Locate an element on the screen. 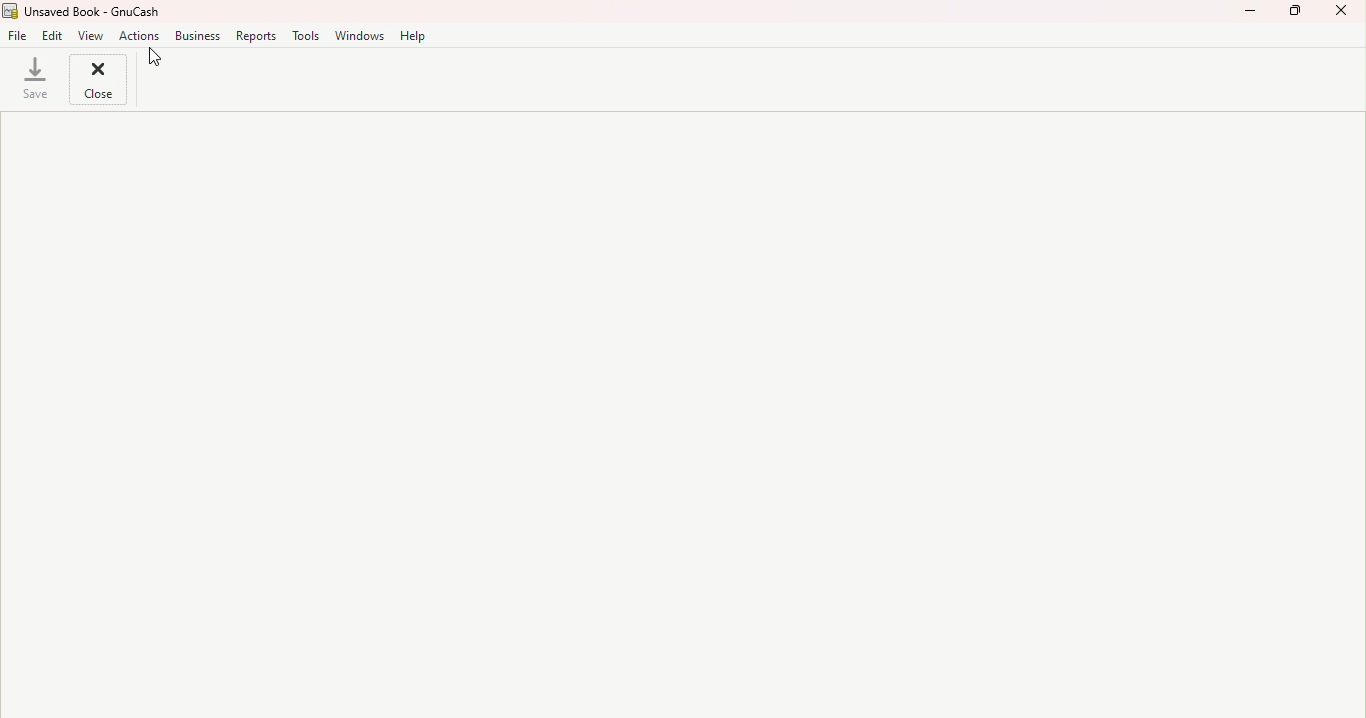  Tools is located at coordinates (303, 35).